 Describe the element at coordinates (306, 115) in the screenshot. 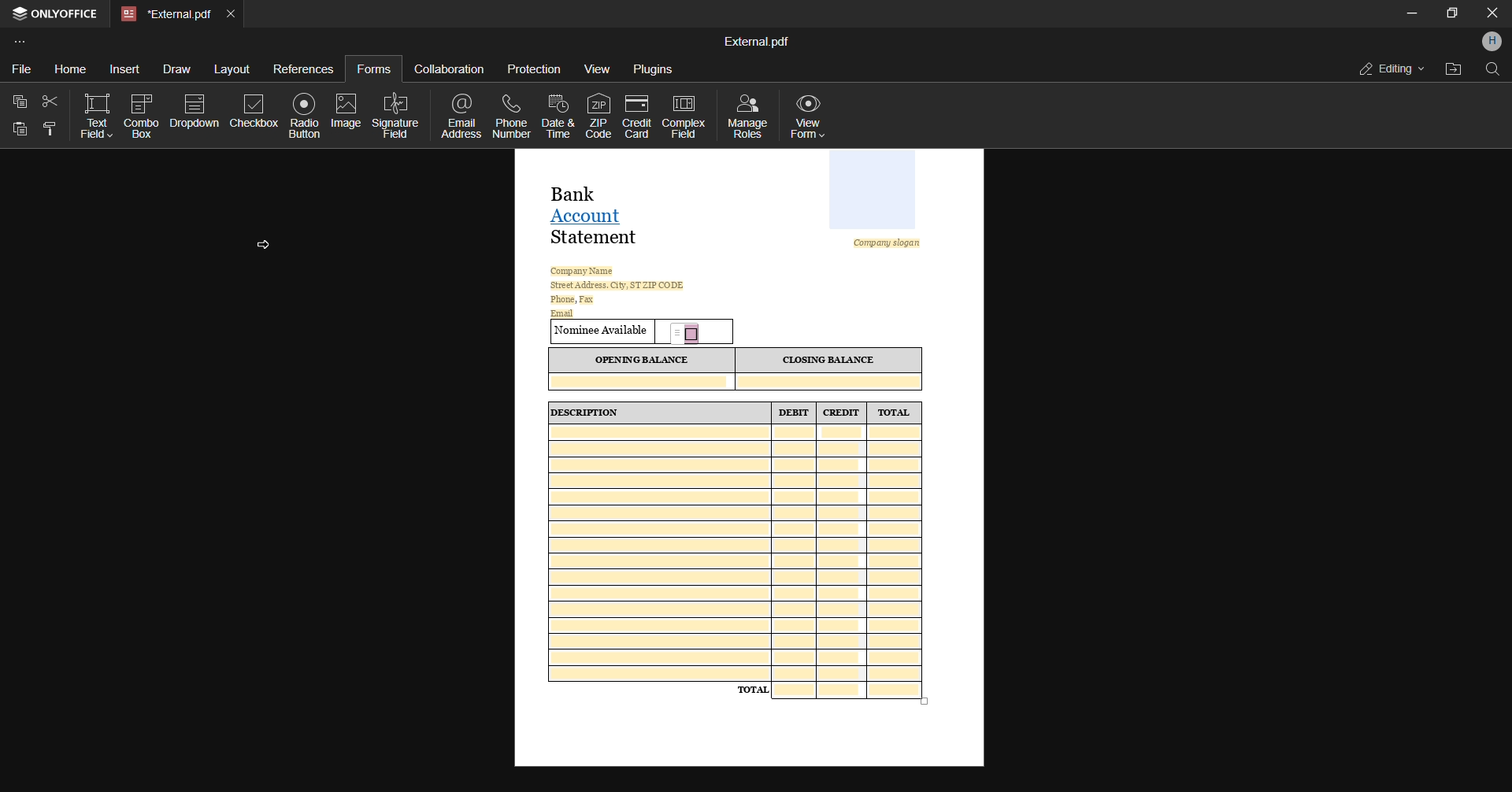

I see `radio button` at that location.